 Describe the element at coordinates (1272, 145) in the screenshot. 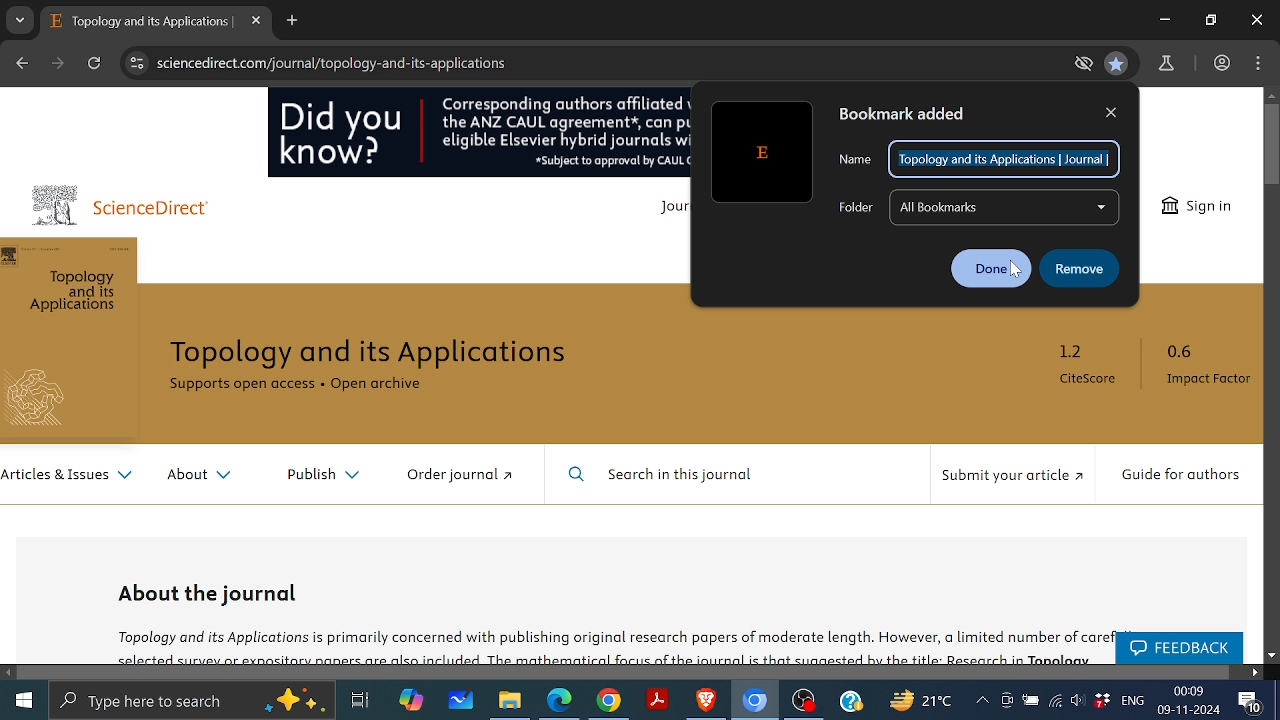

I see `Vertical scroll Bar` at that location.